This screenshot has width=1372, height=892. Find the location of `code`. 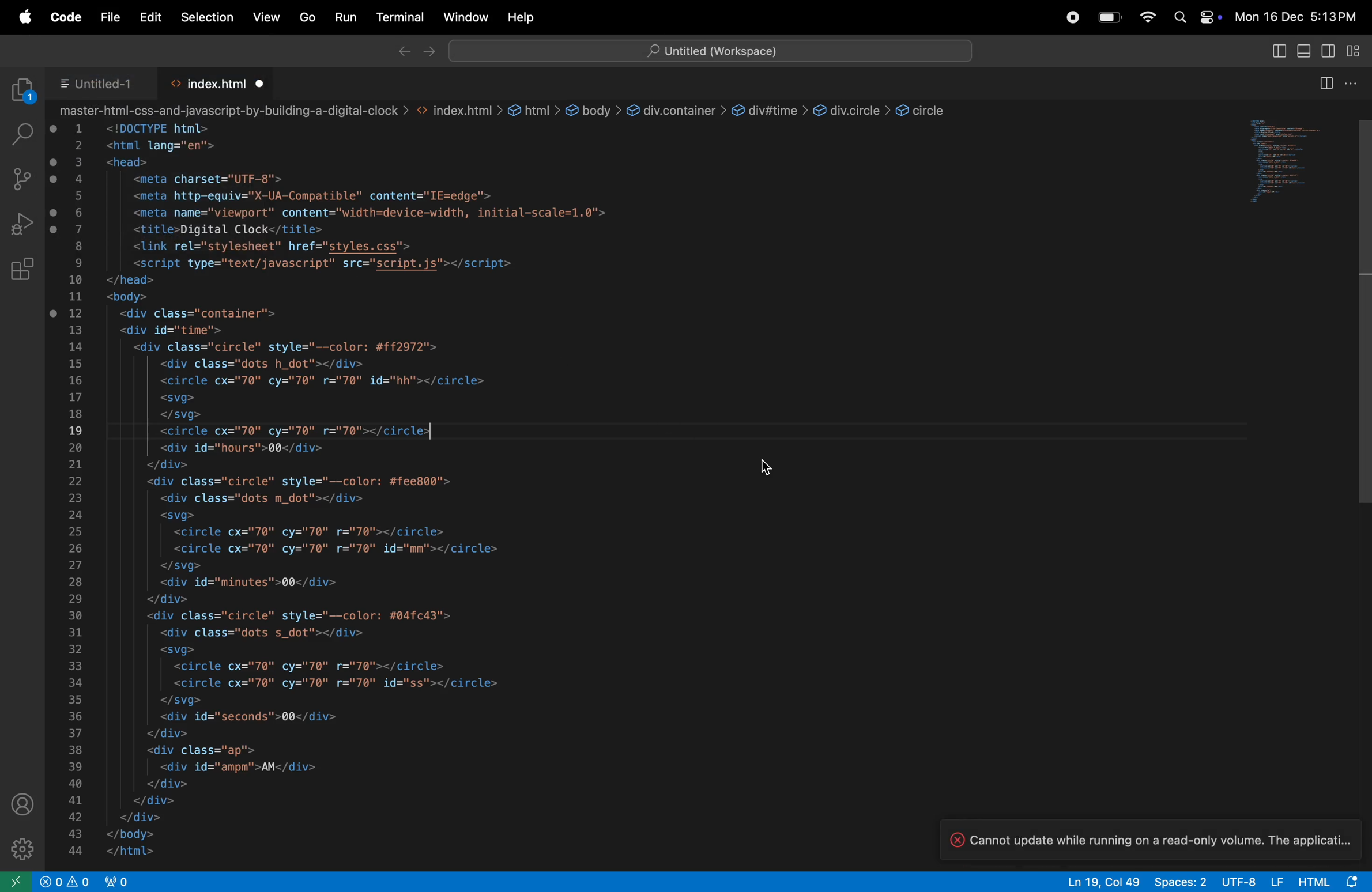

code is located at coordinates (64, 19).